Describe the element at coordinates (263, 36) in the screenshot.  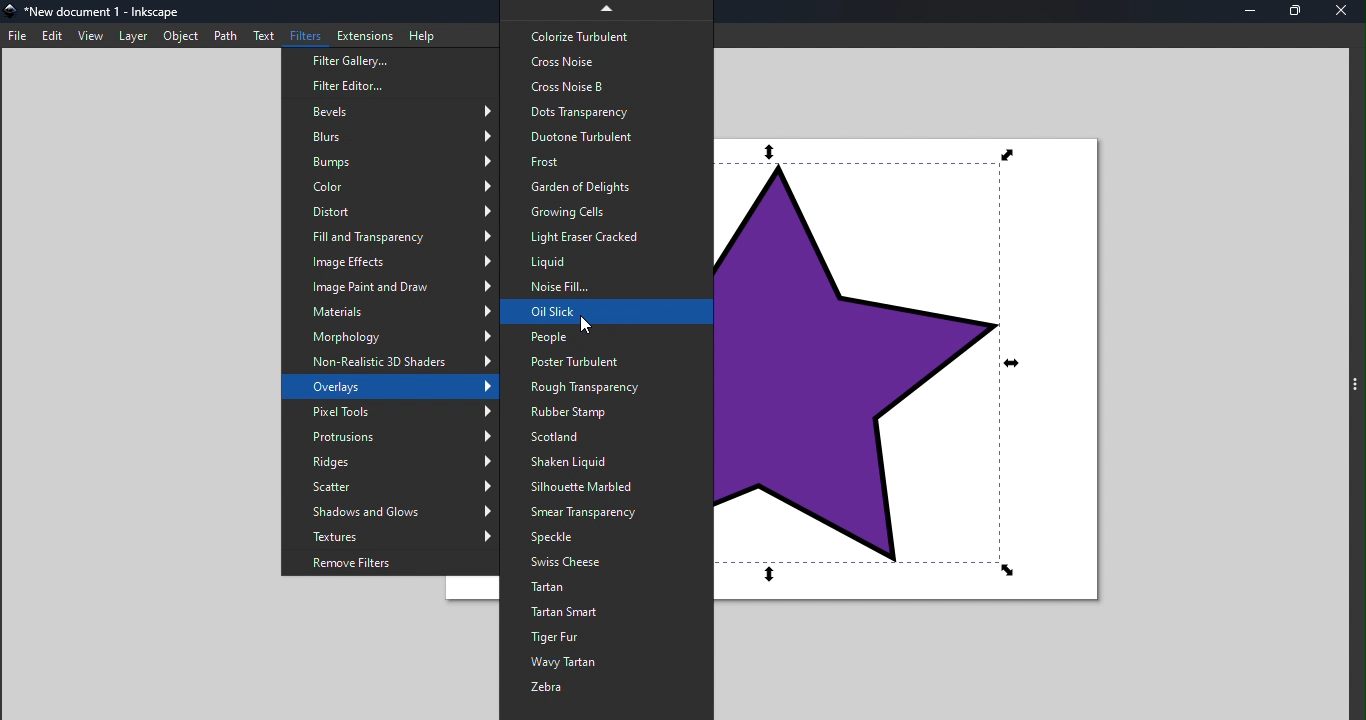
I see `Text` at that location.